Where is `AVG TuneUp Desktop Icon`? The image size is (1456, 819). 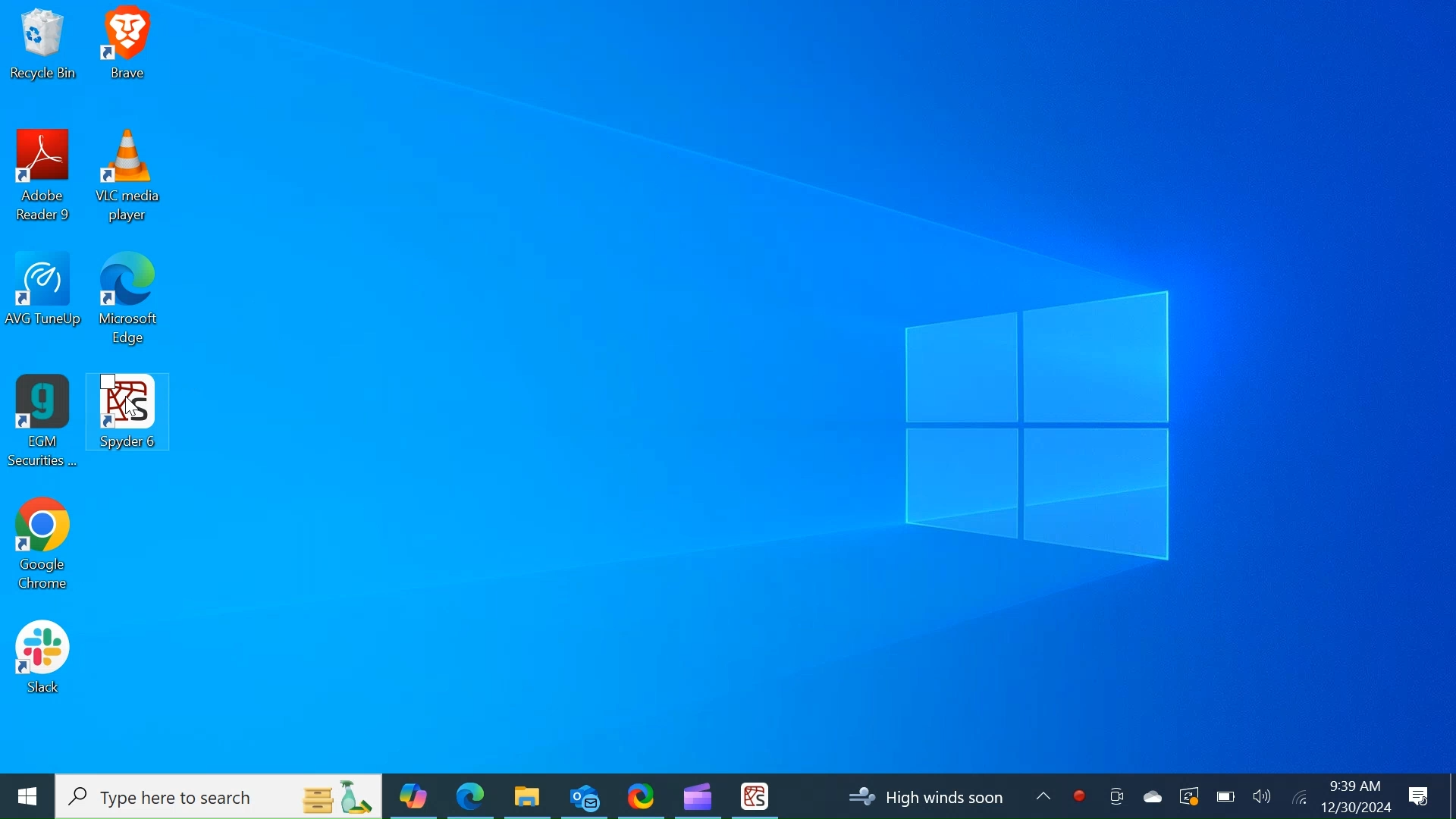
AVG TuneUp Desktop Icon is located at coordinates (46, 303).